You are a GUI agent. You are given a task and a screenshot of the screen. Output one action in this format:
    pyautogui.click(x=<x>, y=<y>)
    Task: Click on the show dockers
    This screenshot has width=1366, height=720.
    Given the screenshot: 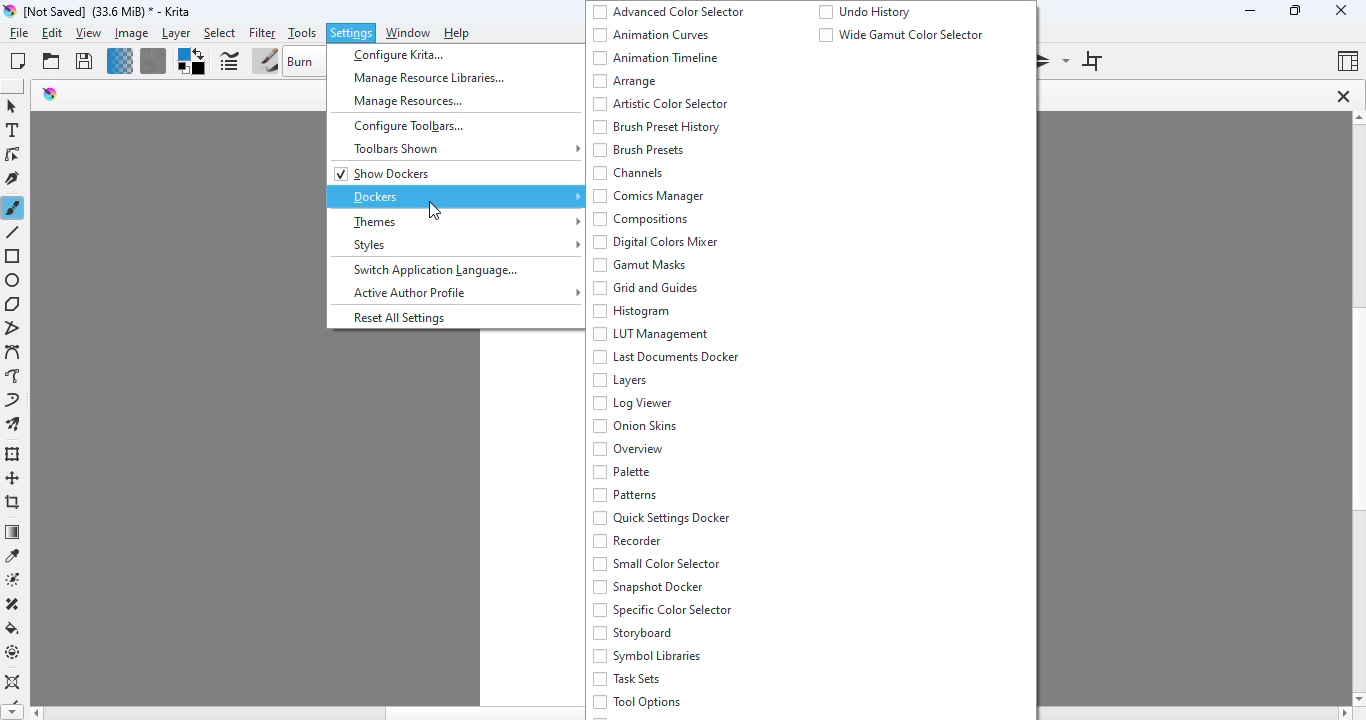 What is the action you would take?
    pyautogui.click(x=384, y=174)
    